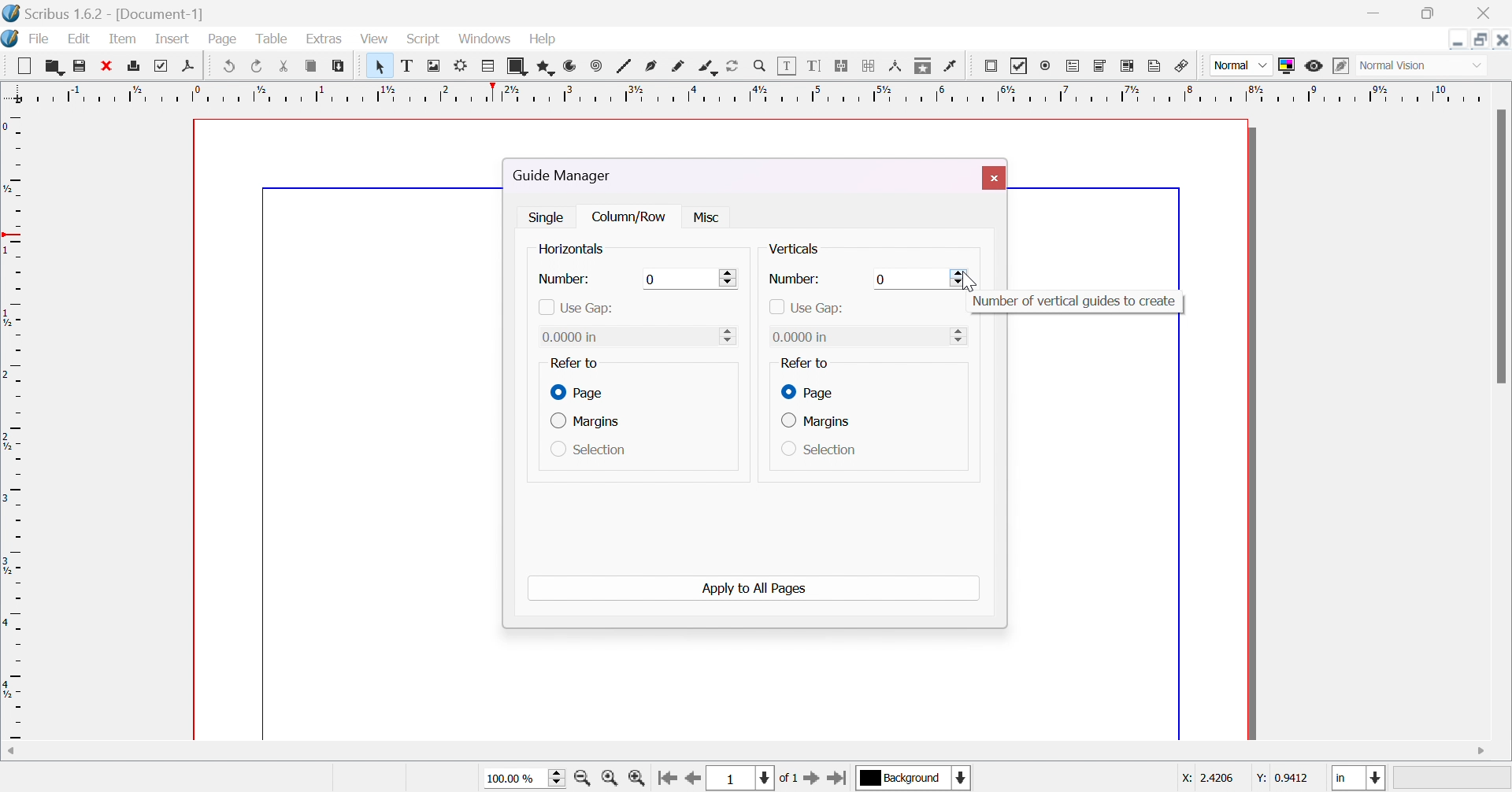  What do you see at coordinates (13, 423) in the screenshot?
I see `ruler` at bounding box center [13, 423].